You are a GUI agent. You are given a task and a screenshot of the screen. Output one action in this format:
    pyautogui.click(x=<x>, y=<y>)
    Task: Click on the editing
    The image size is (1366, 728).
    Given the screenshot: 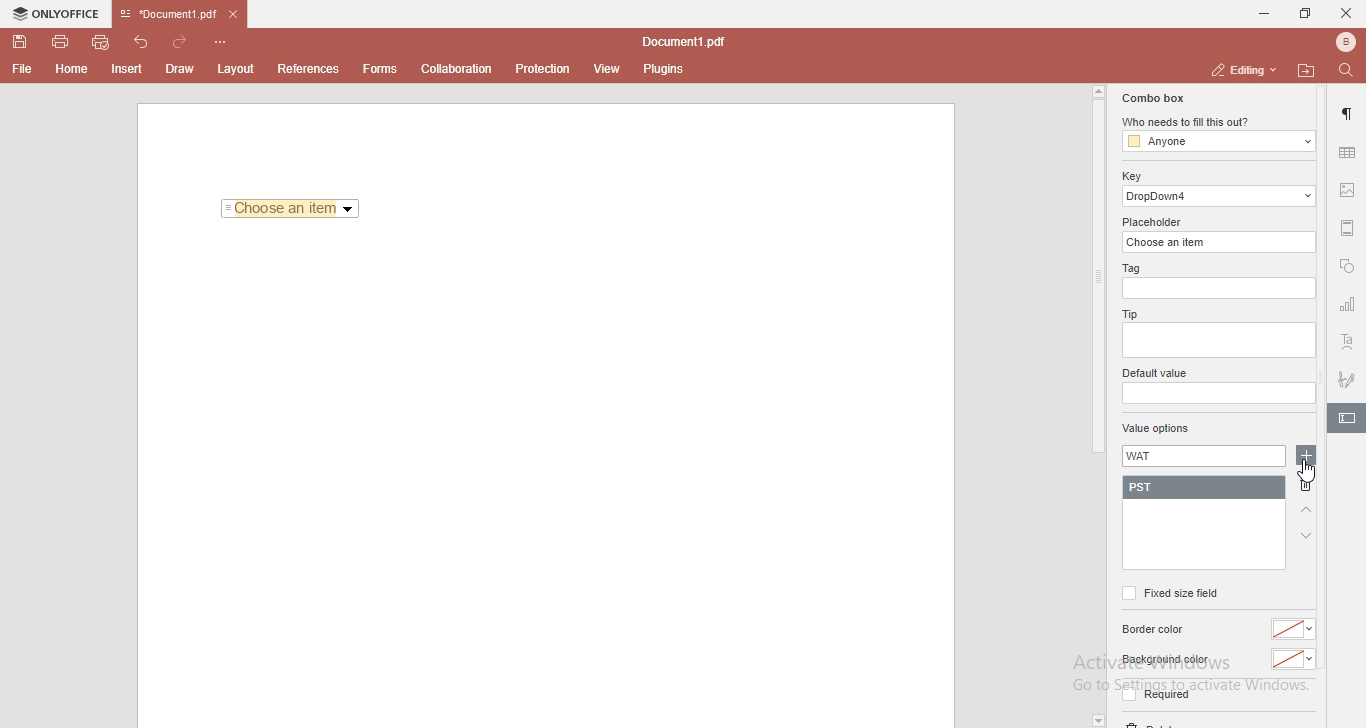 What is the action you would take?
    pyautogui.click(x=1241, y=69)
    